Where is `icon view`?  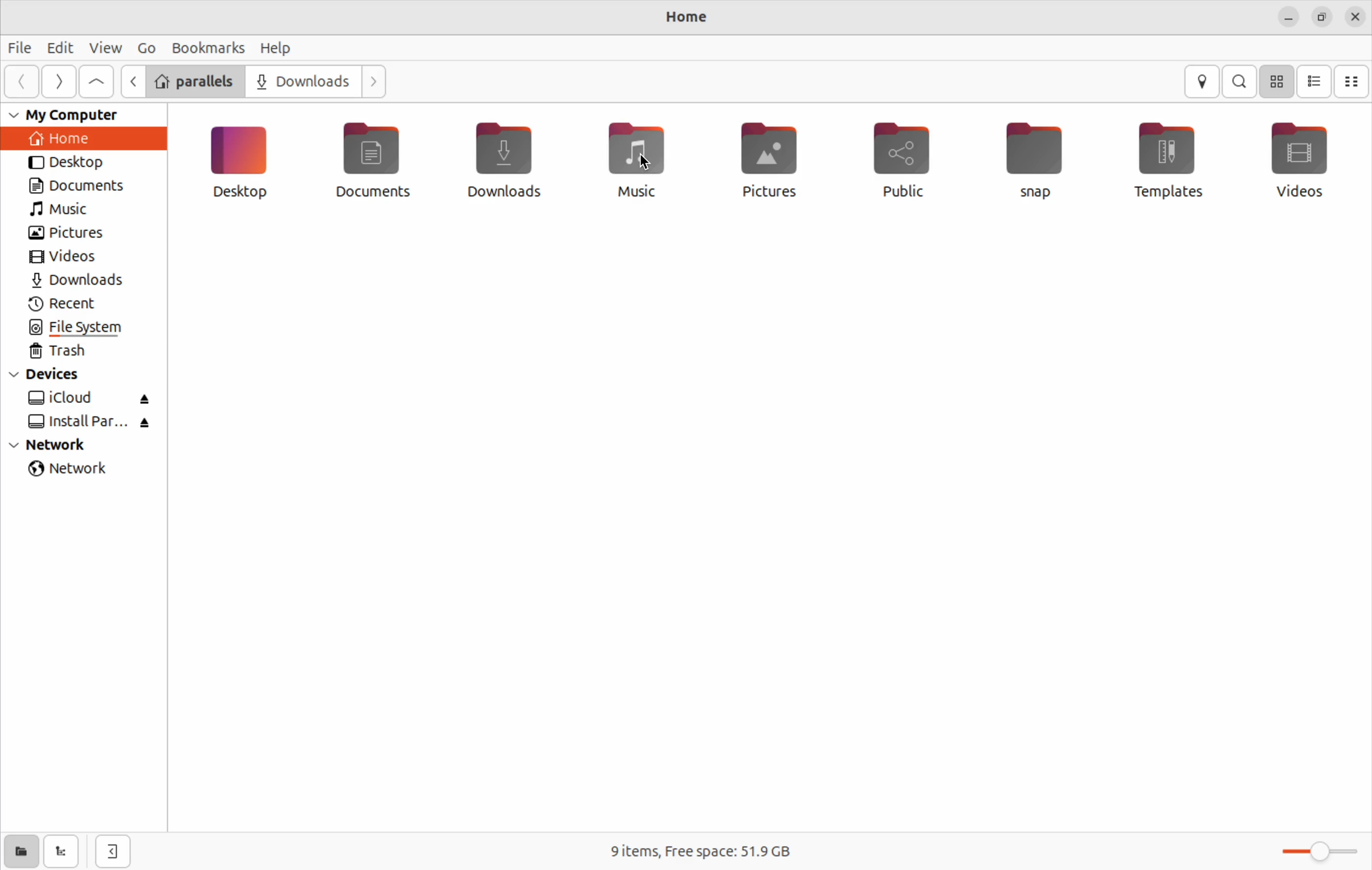
icon view is located at coordinates (1278, 82).